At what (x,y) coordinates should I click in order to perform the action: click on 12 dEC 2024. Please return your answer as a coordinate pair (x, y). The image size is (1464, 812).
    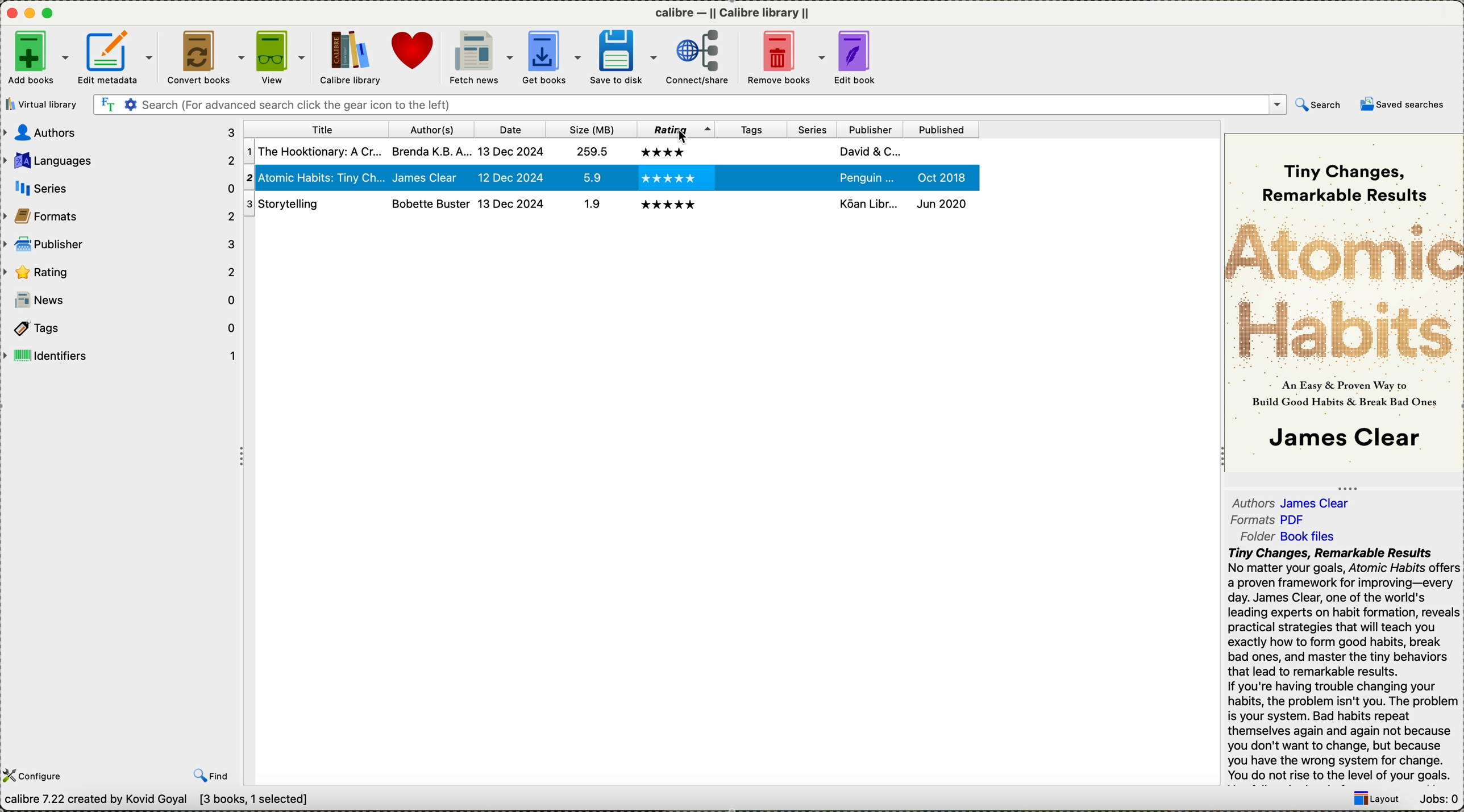
    Looking at the image, I should click on (513, 152).